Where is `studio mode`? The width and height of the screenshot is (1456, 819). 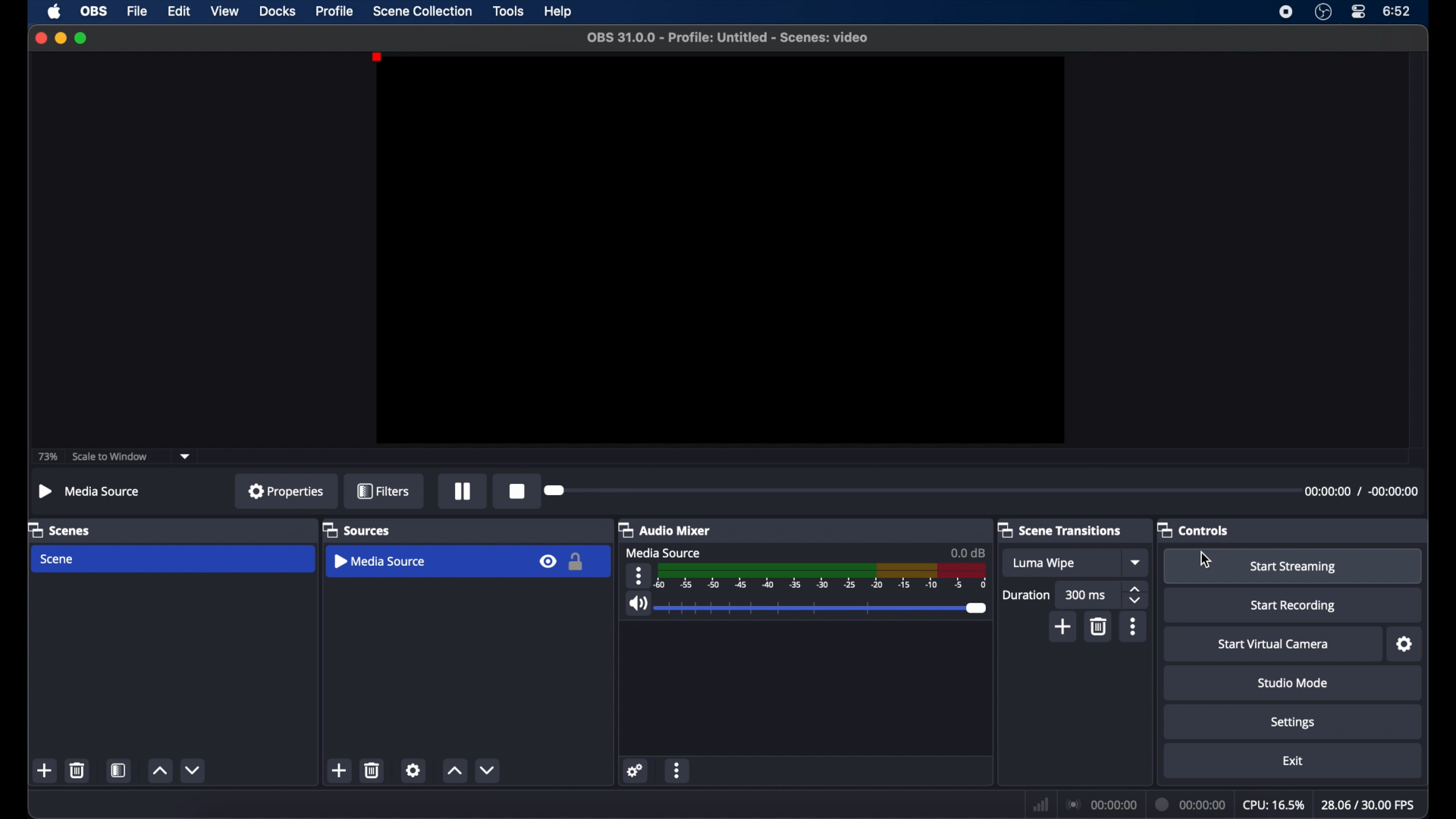
studio mode is located at coordinates (1292, 683).